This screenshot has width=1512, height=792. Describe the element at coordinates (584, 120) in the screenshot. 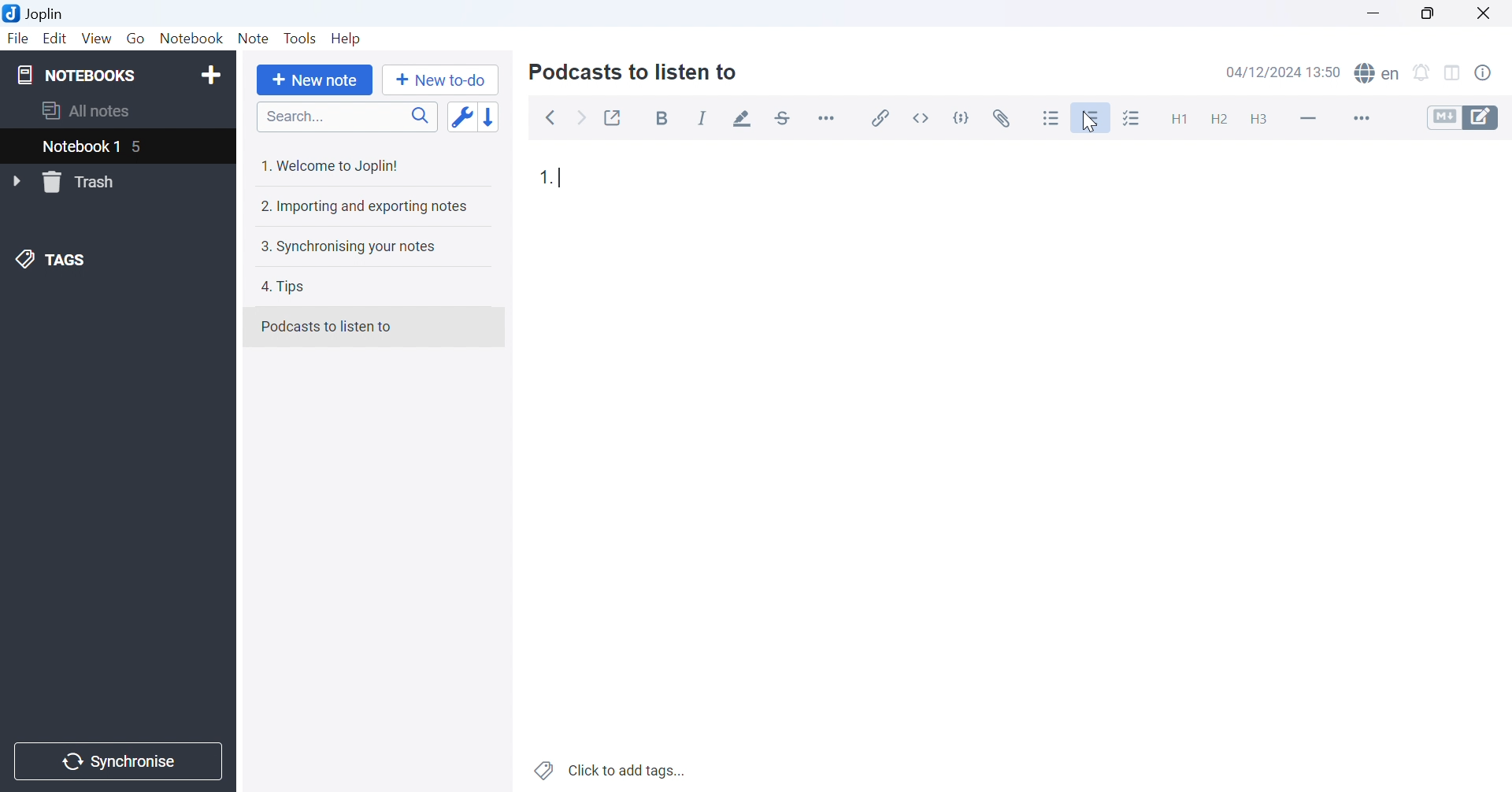

I see `Forward` at that location.